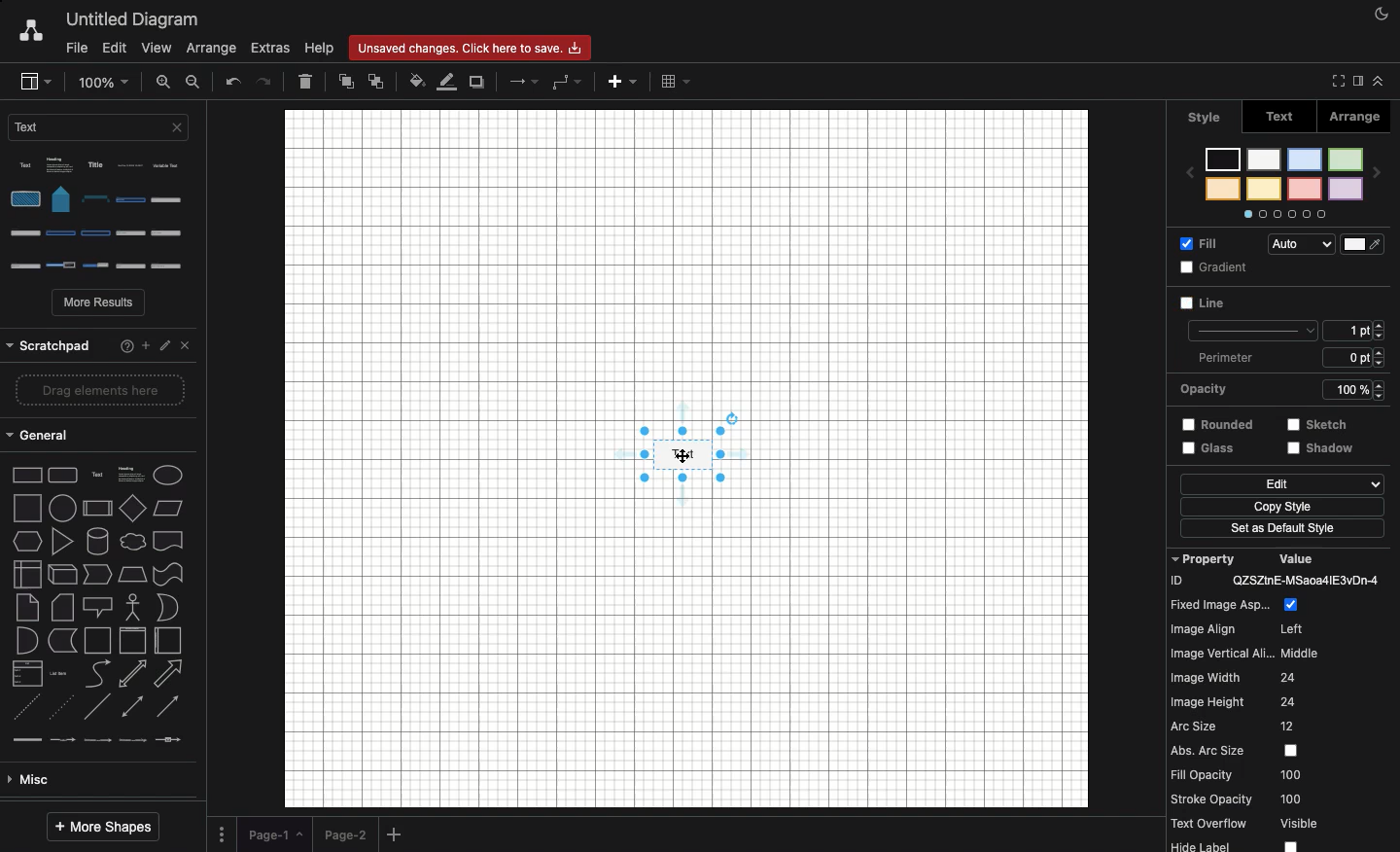  What do you see at coordinates (1329, 424) in the screenshot?
I see `` at bounding box center [1329, 424].